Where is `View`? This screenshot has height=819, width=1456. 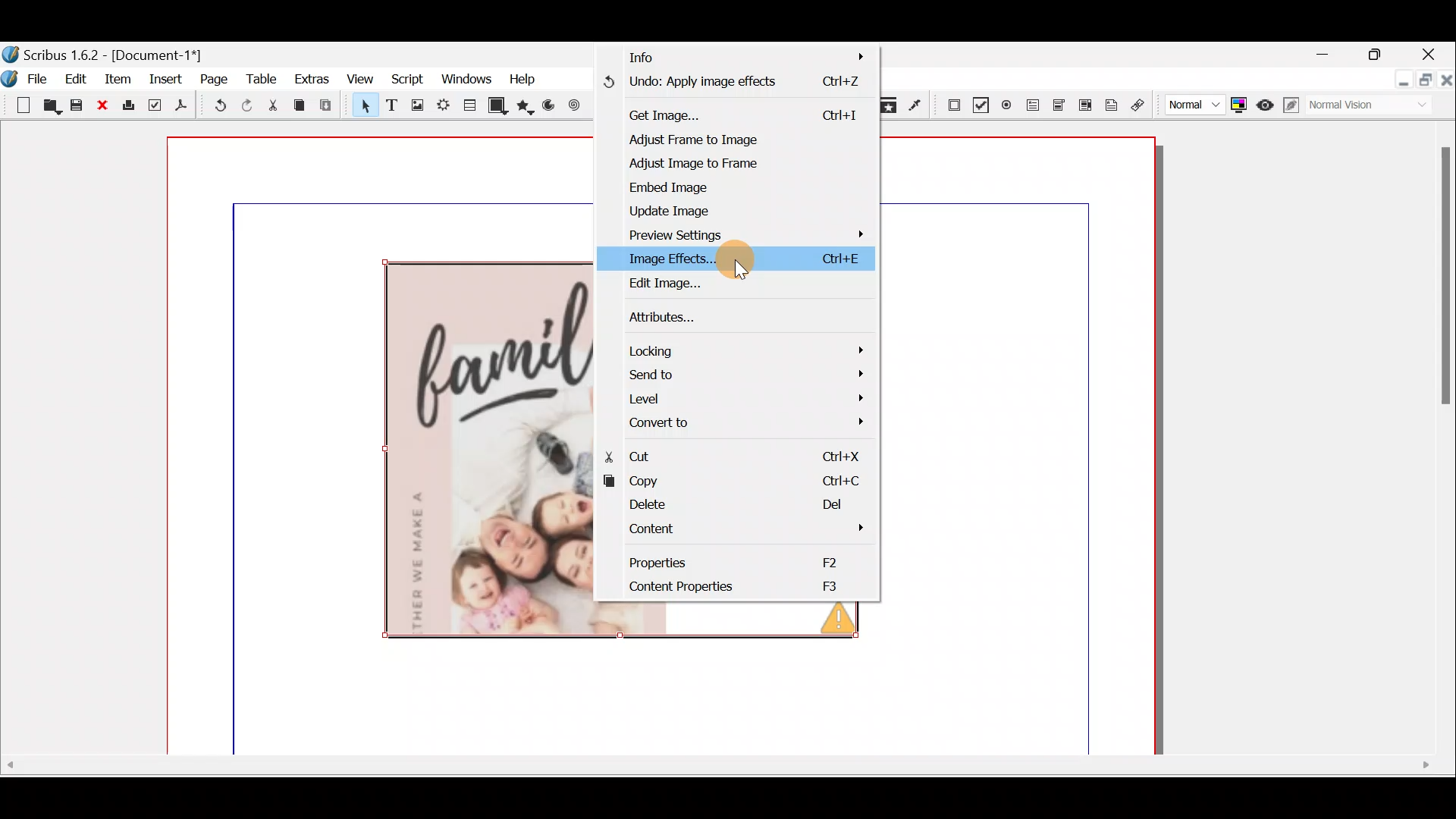 View is located at coordinates (363, 81).